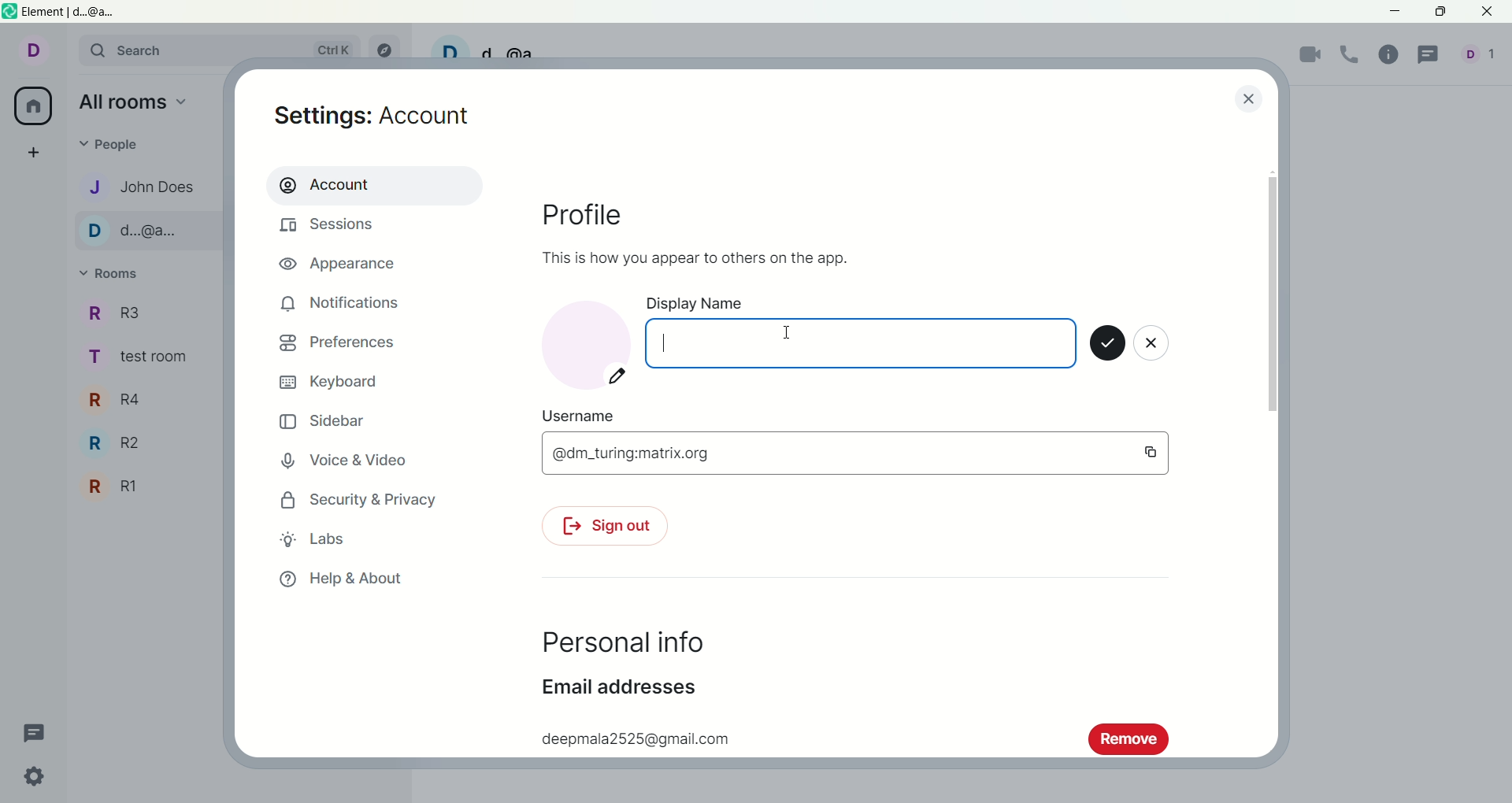  I want to click on email address, so click(618, 692).